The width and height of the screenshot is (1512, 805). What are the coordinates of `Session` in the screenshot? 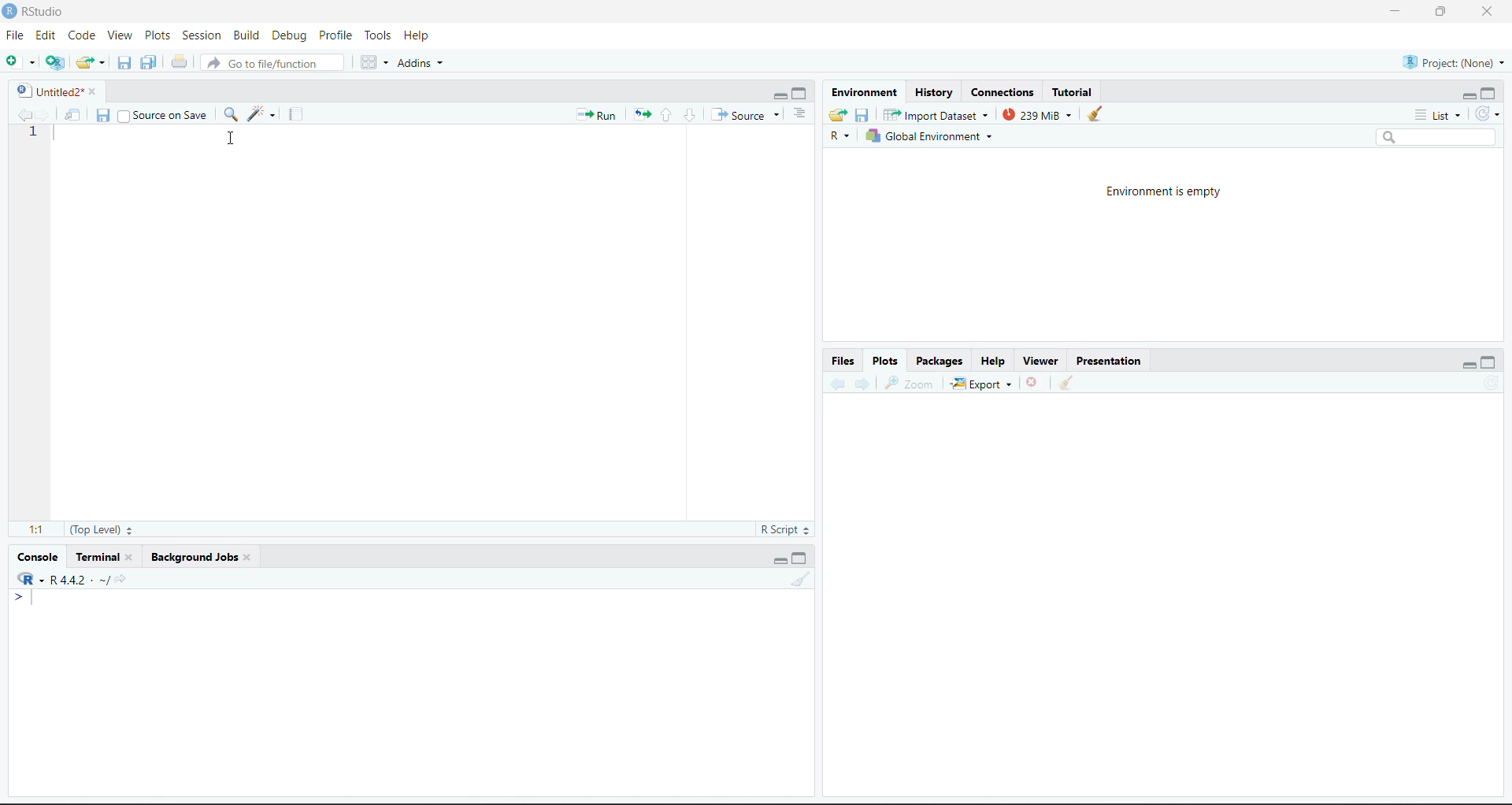 It's located at (202, 34).